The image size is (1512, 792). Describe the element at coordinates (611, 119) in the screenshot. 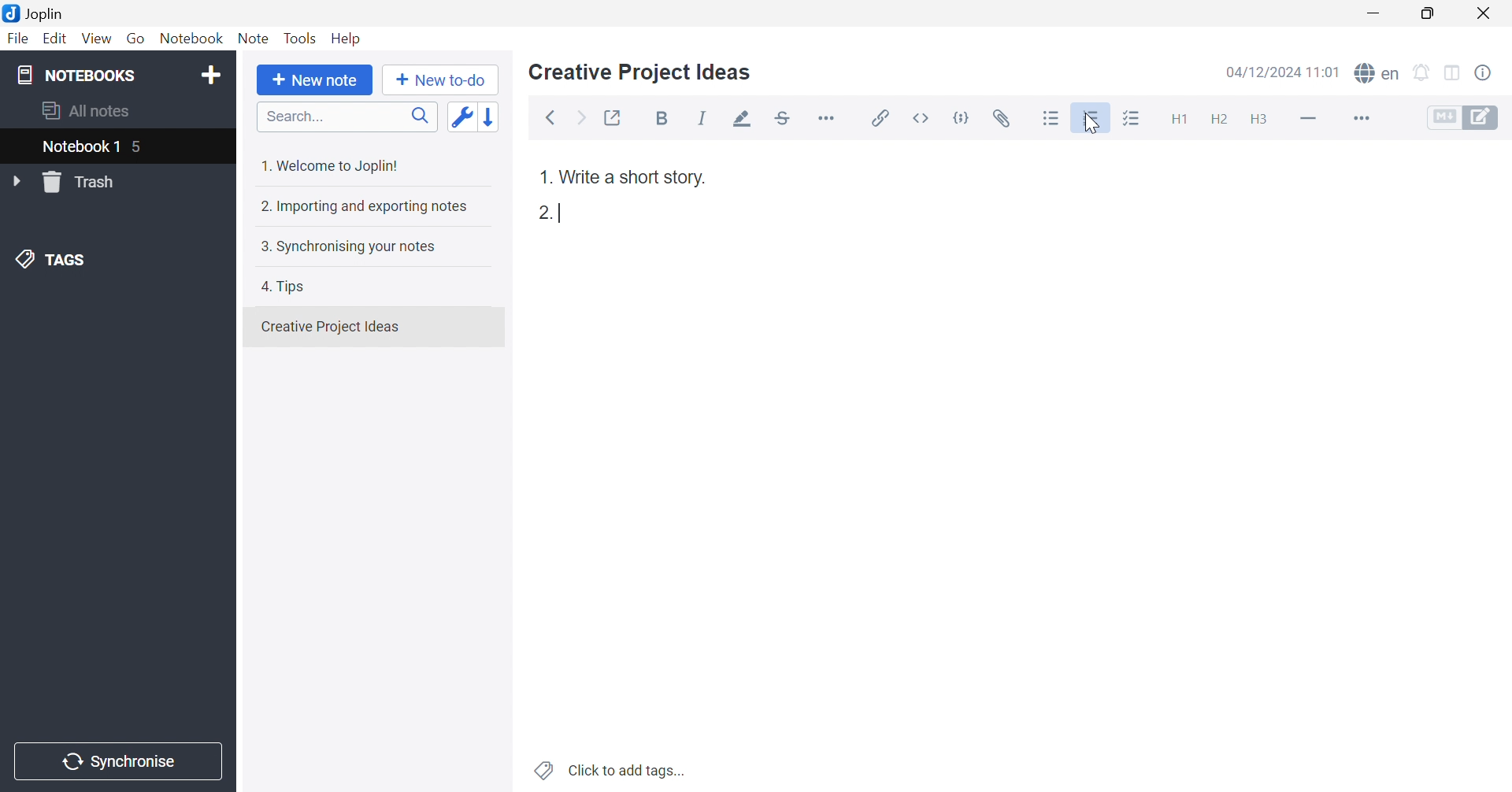

I see `Toggle external editing` at that location.